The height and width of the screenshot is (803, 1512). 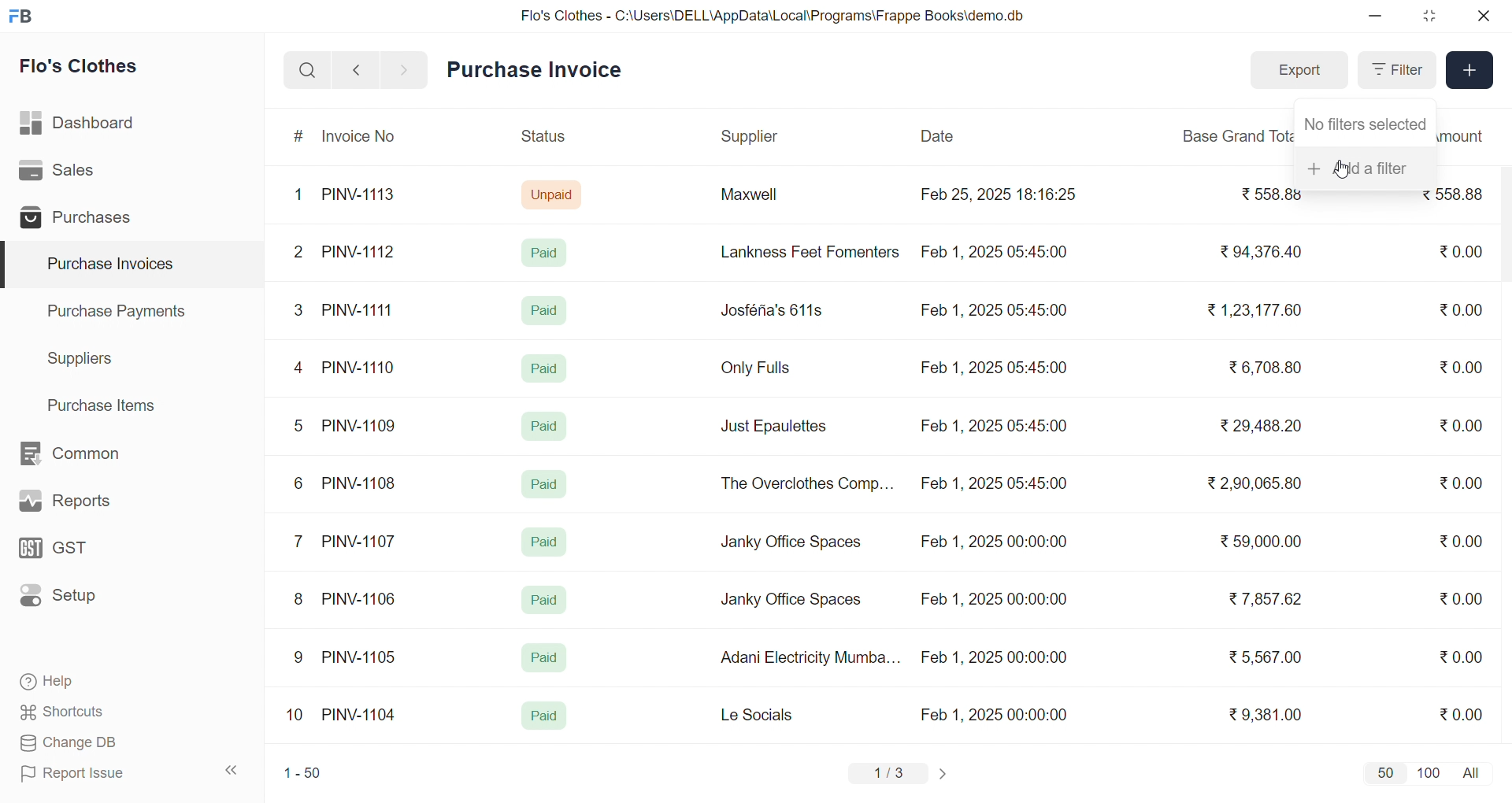 What do you see at coordinates (1266, 543) in the screenshot?
I see `₹ 59,000.00` at bounding box center [1266, 543].